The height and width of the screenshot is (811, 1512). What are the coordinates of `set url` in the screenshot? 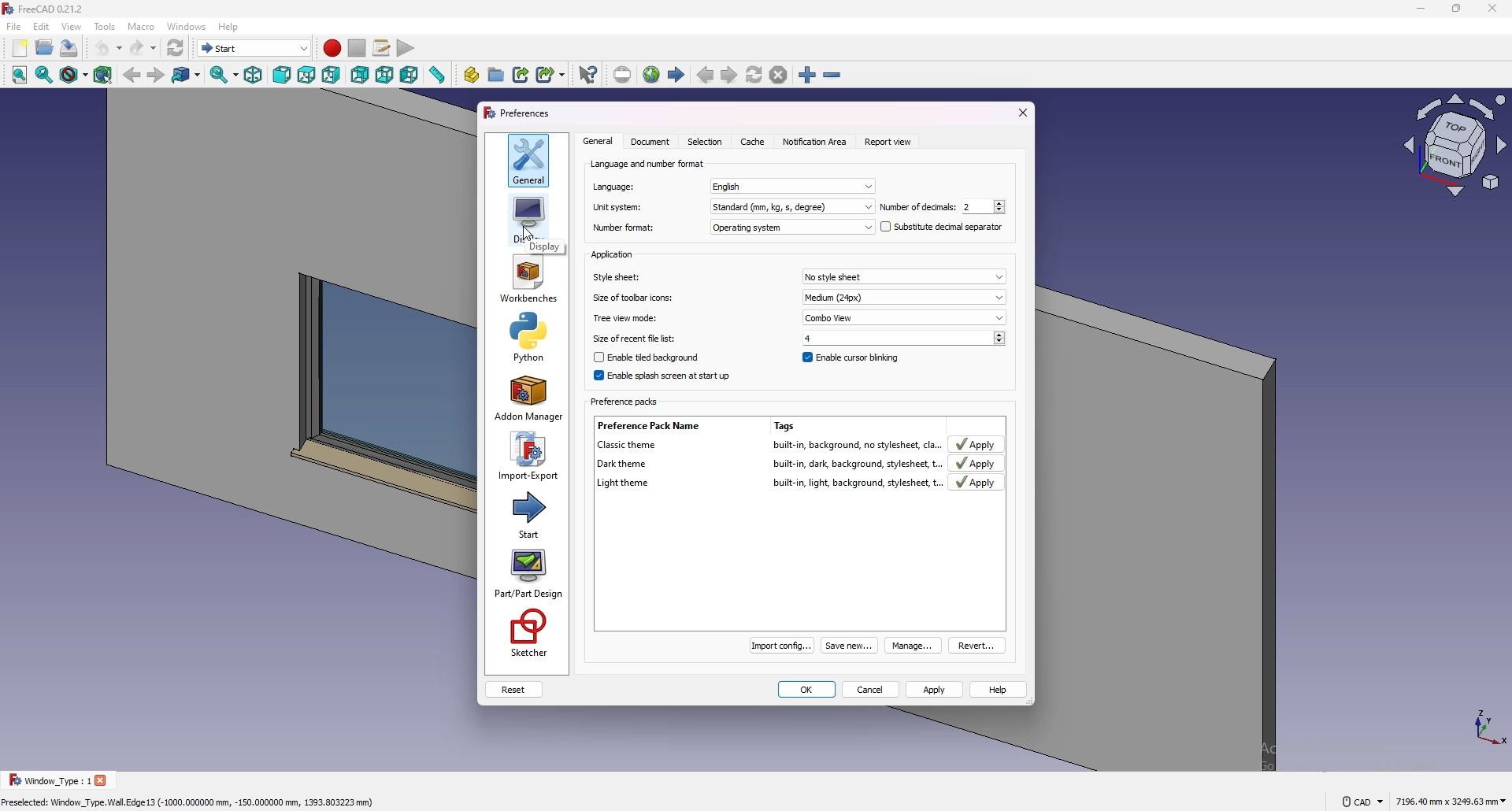 It's located at (622, 75).